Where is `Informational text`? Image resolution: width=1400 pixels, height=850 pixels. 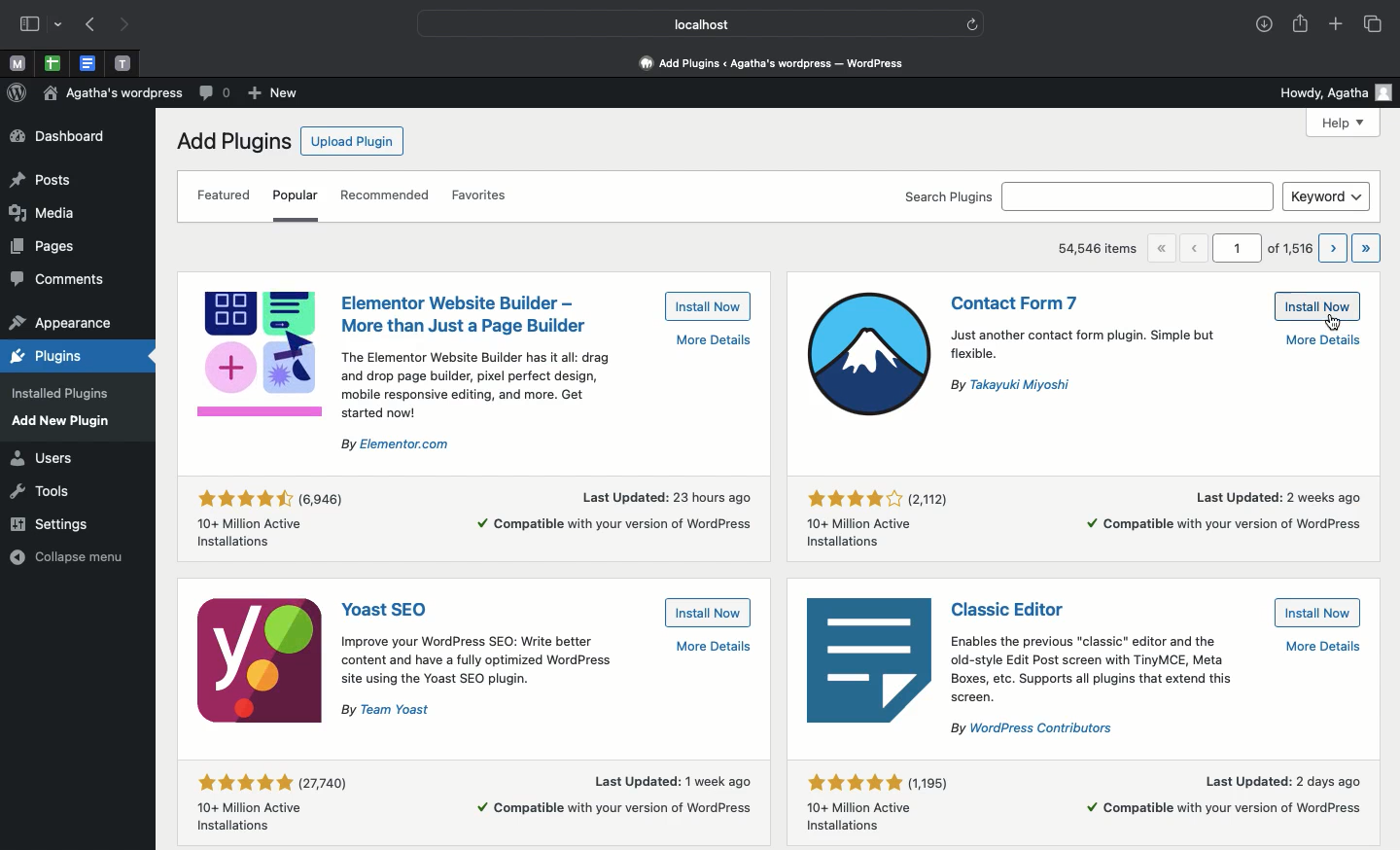
Informational text is located at coordinates (474, 400).